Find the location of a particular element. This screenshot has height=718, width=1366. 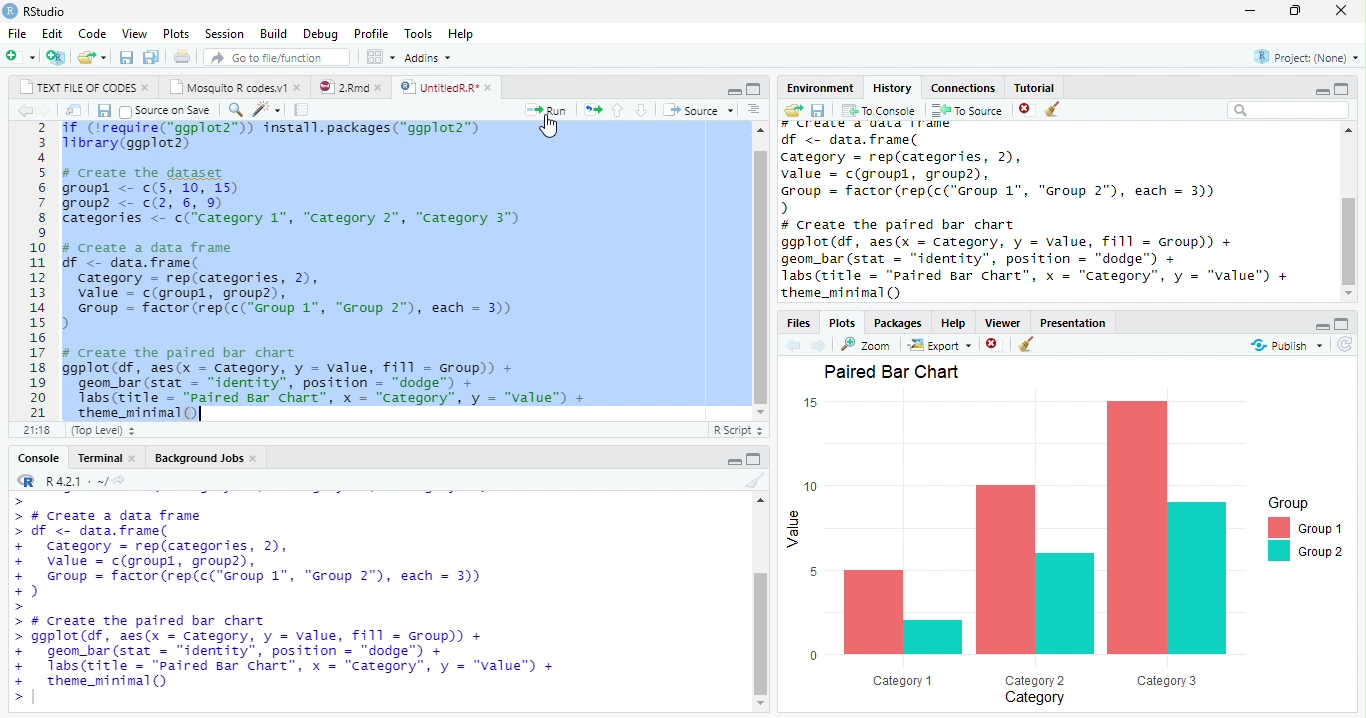

source on save is located at coordinates (165, 110).